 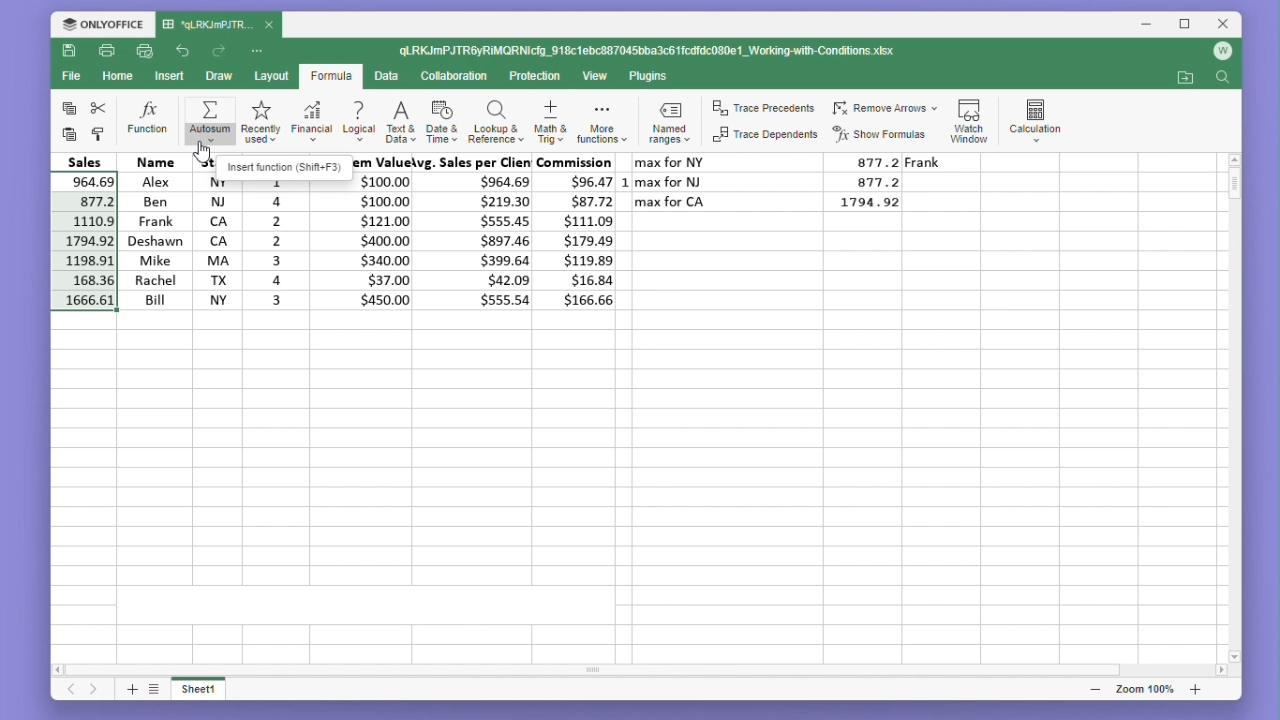 What do you see at coordinates (206, 25) in the screenshot?
I see `'qLRKJmJTR...` at bounding box center [206, 25].